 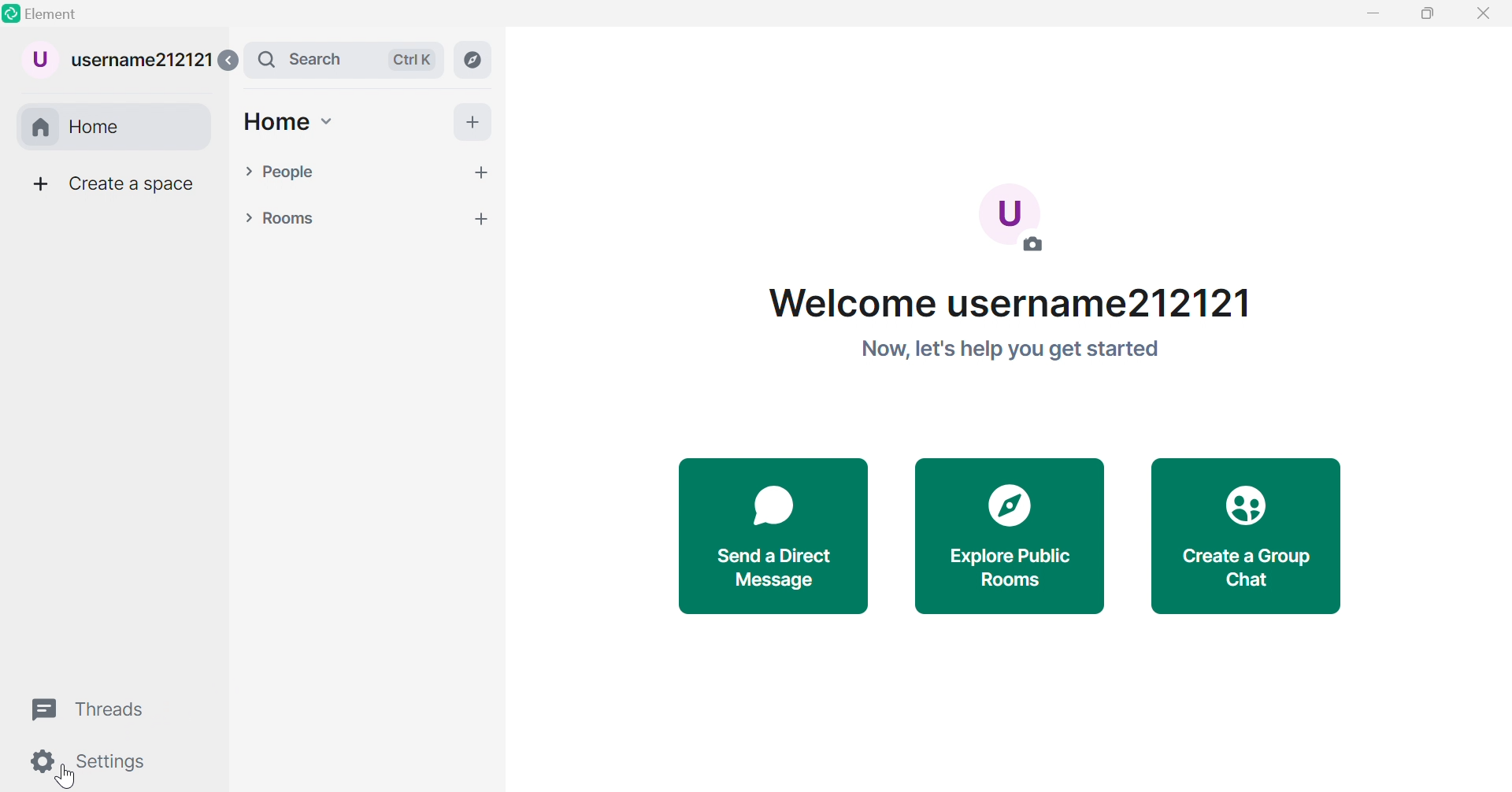 I want to click on Search bar, so click(x=343, y=60).